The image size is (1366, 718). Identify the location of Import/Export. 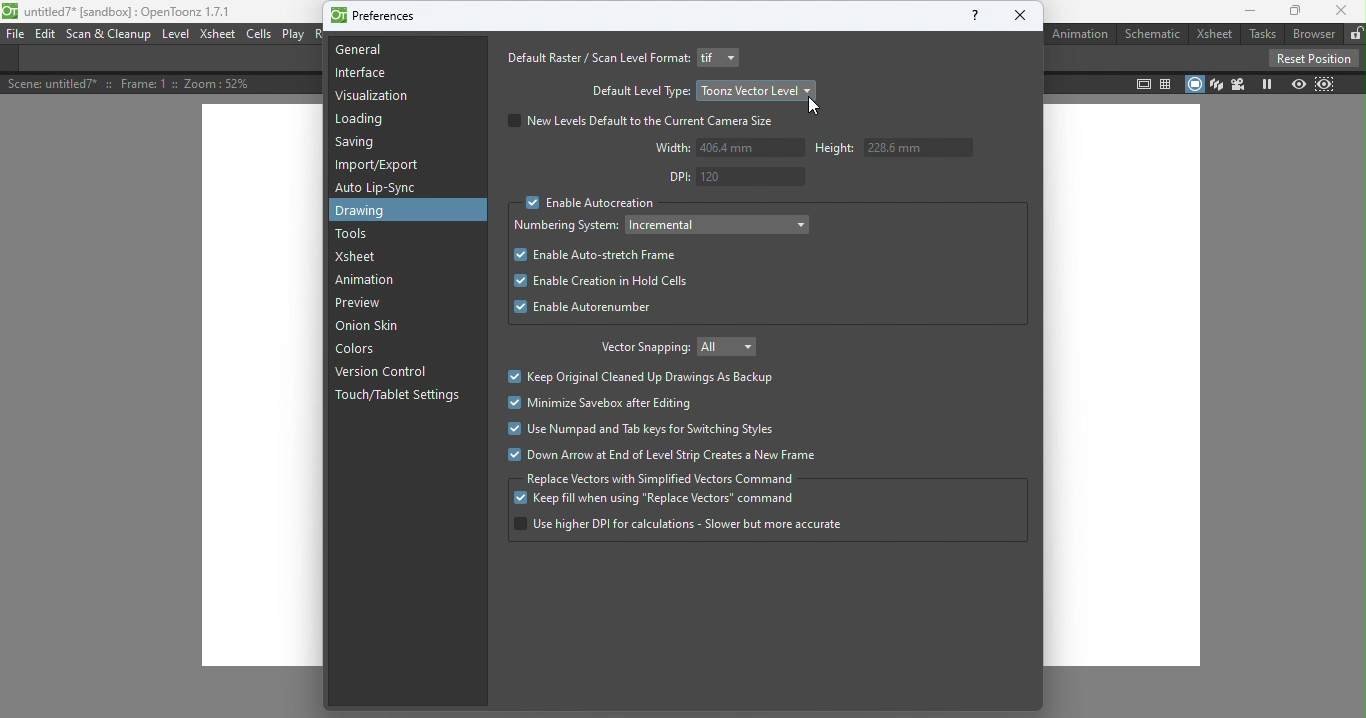
(381, 166).